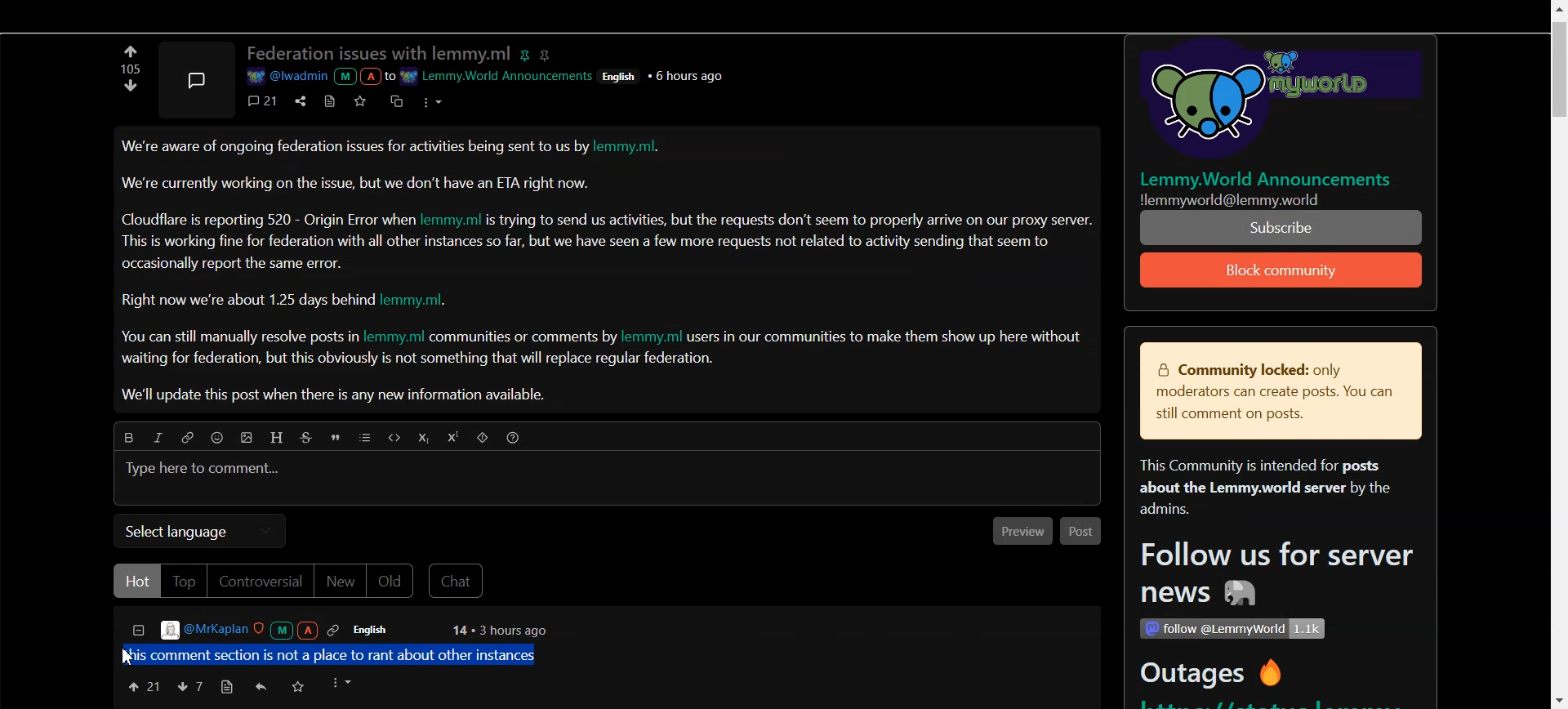 This screenshot has height=709, width=1568. What do you see at coordinates (484, 439) in the screenshot?
I see `Spoiler` at bounding box center [484, 439].